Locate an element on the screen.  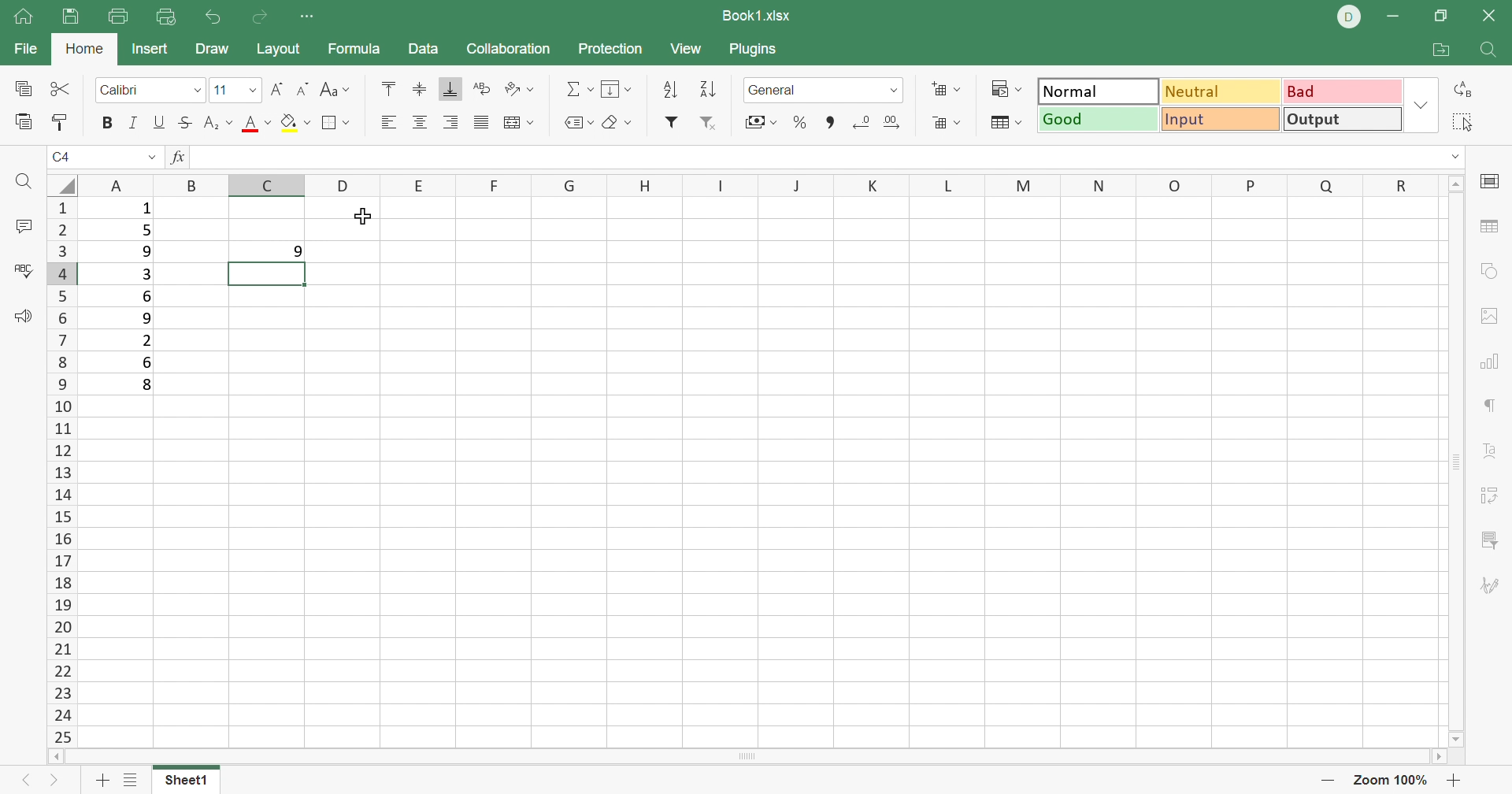
Percent style is located at coordinates (798, 122).